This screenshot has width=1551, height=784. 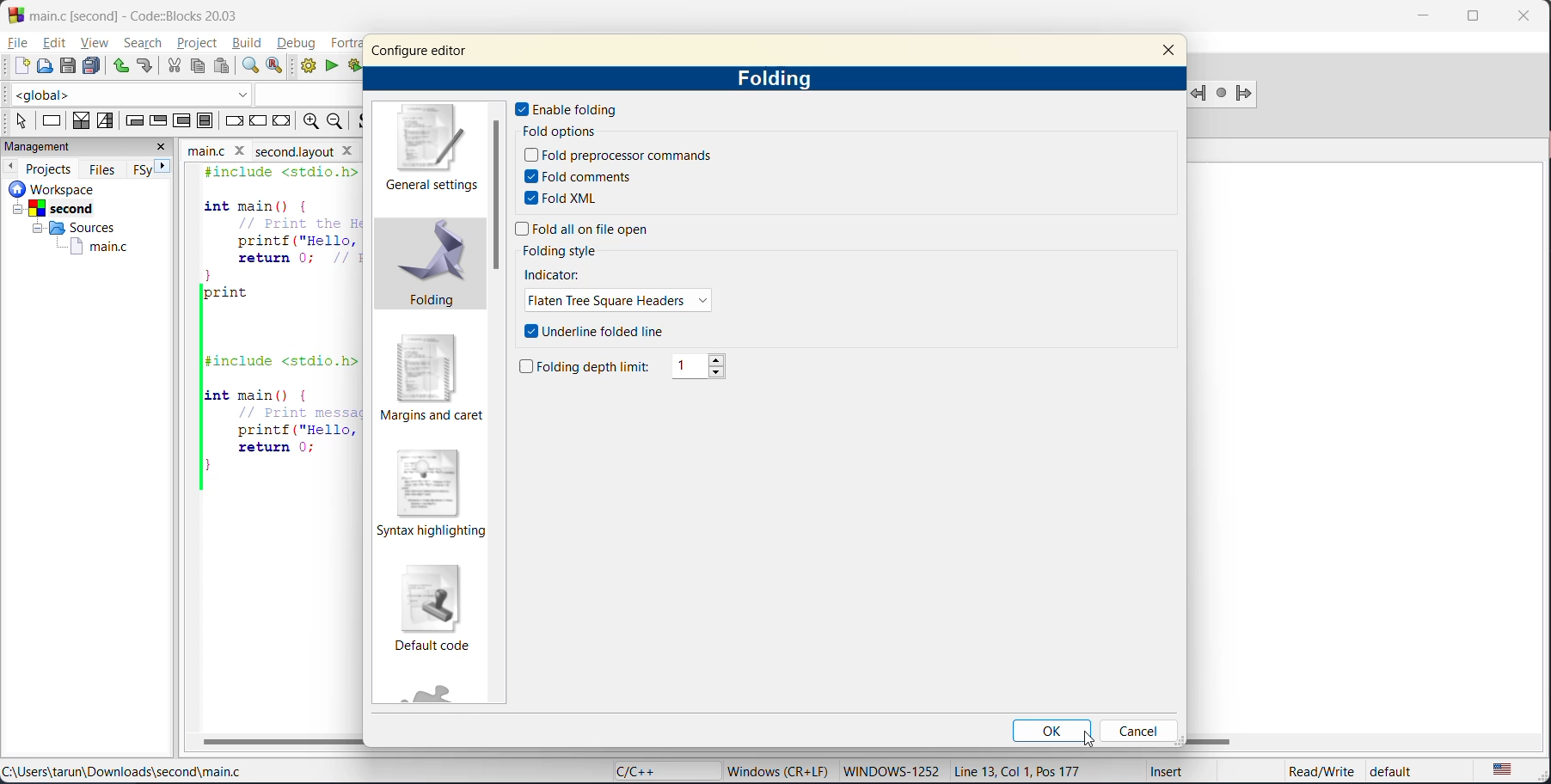 I want to click on new, so click(x=21, y=67).